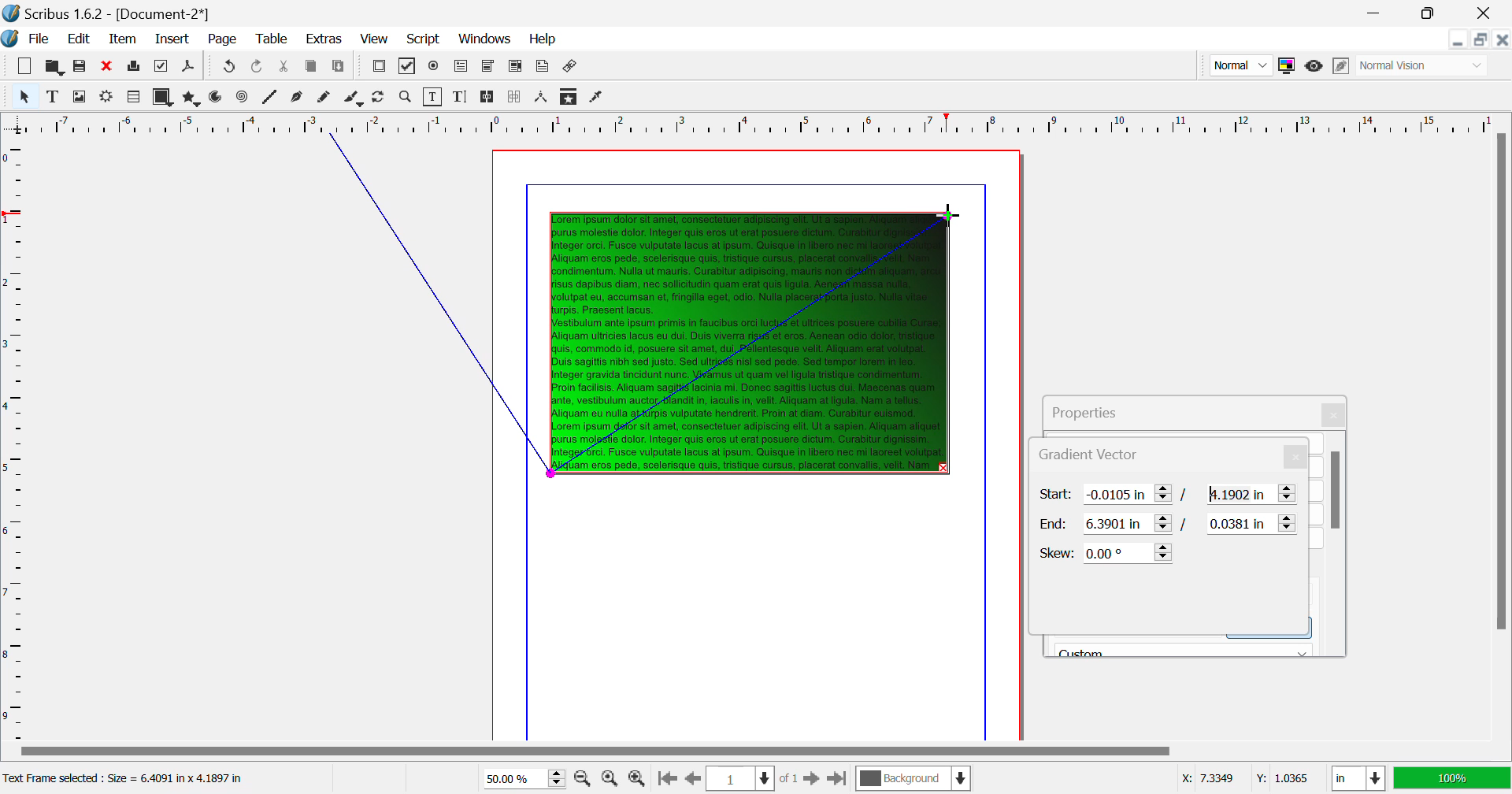 The height and width of the screenshot is (794, 1512). I want to click on Windows, so click(485, 39).